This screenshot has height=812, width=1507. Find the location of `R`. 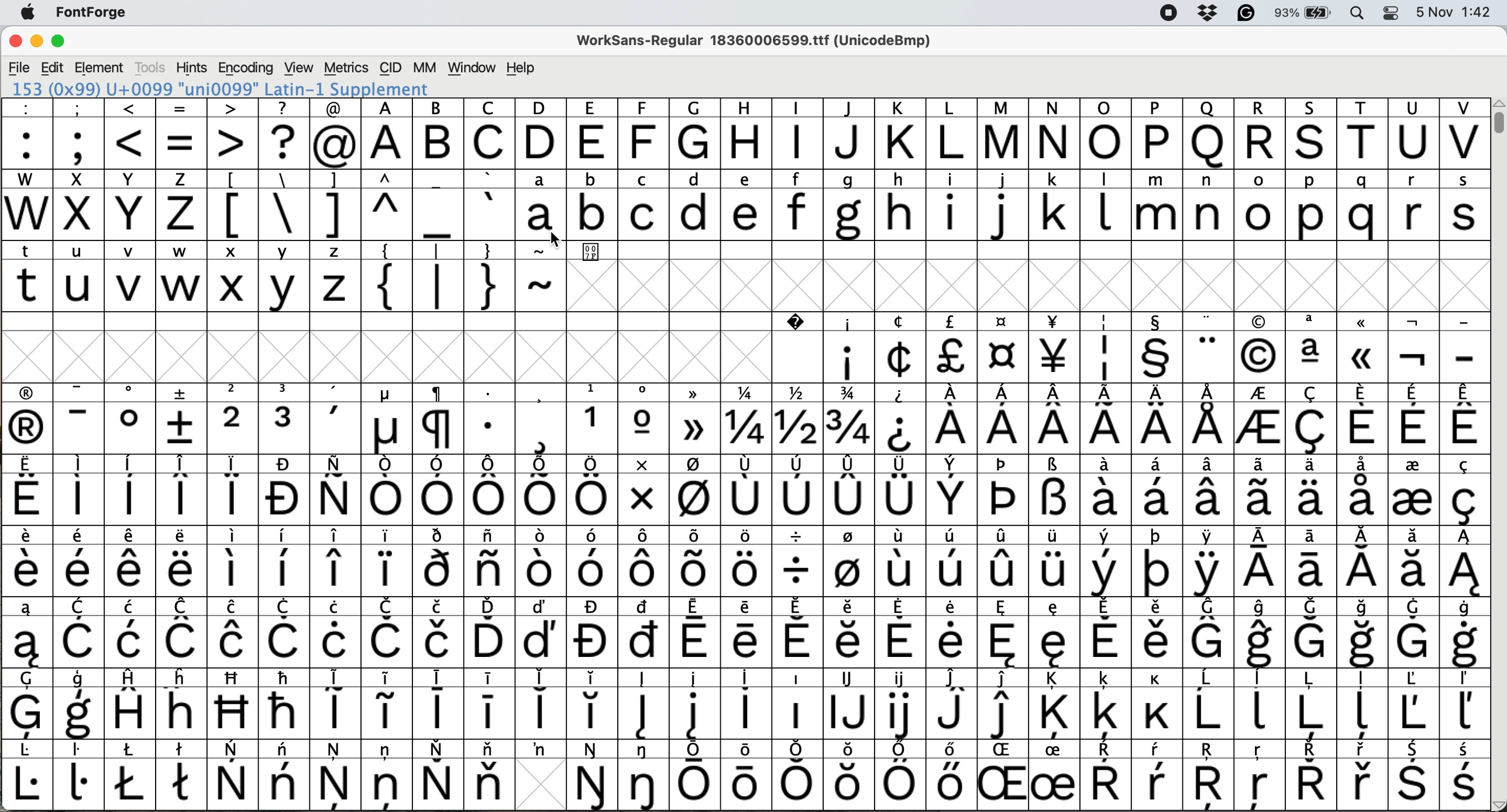

R is located at coordinates (1260, 134).